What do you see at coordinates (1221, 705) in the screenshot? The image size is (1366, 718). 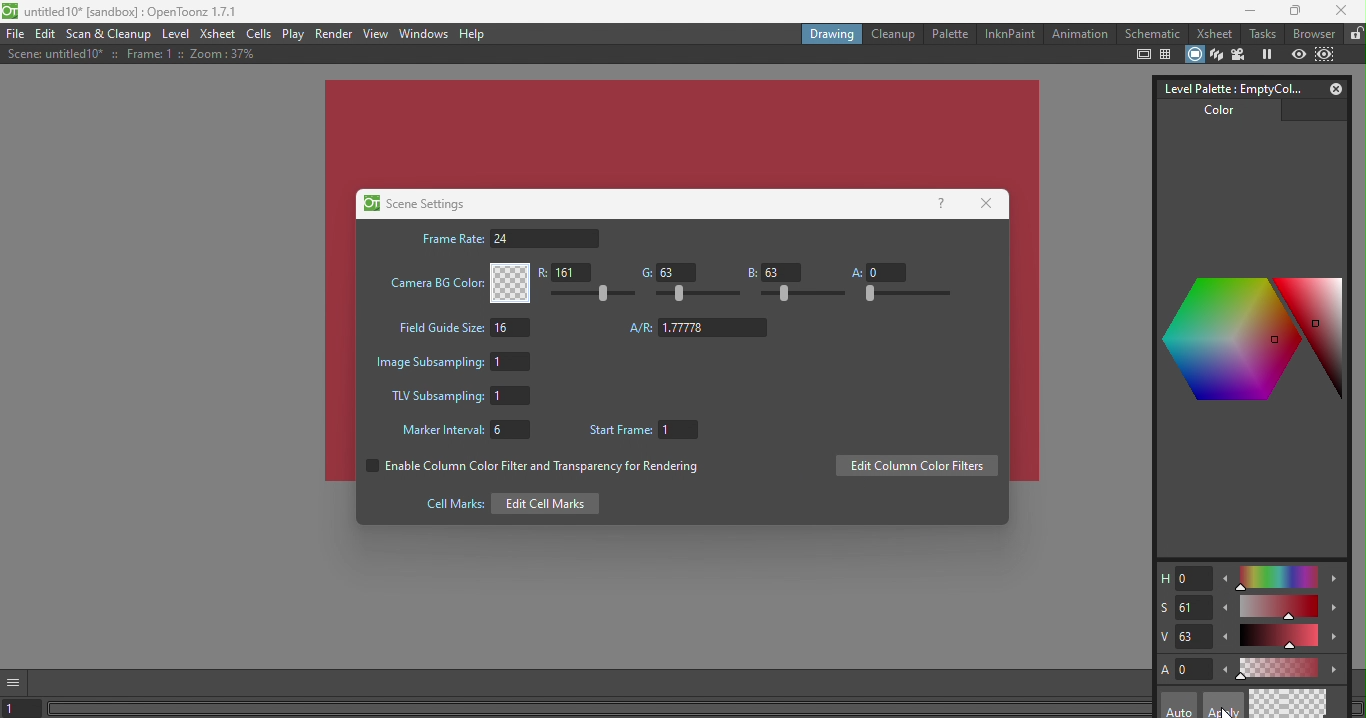 I see `Apply` at bounding box center [1221, 705].